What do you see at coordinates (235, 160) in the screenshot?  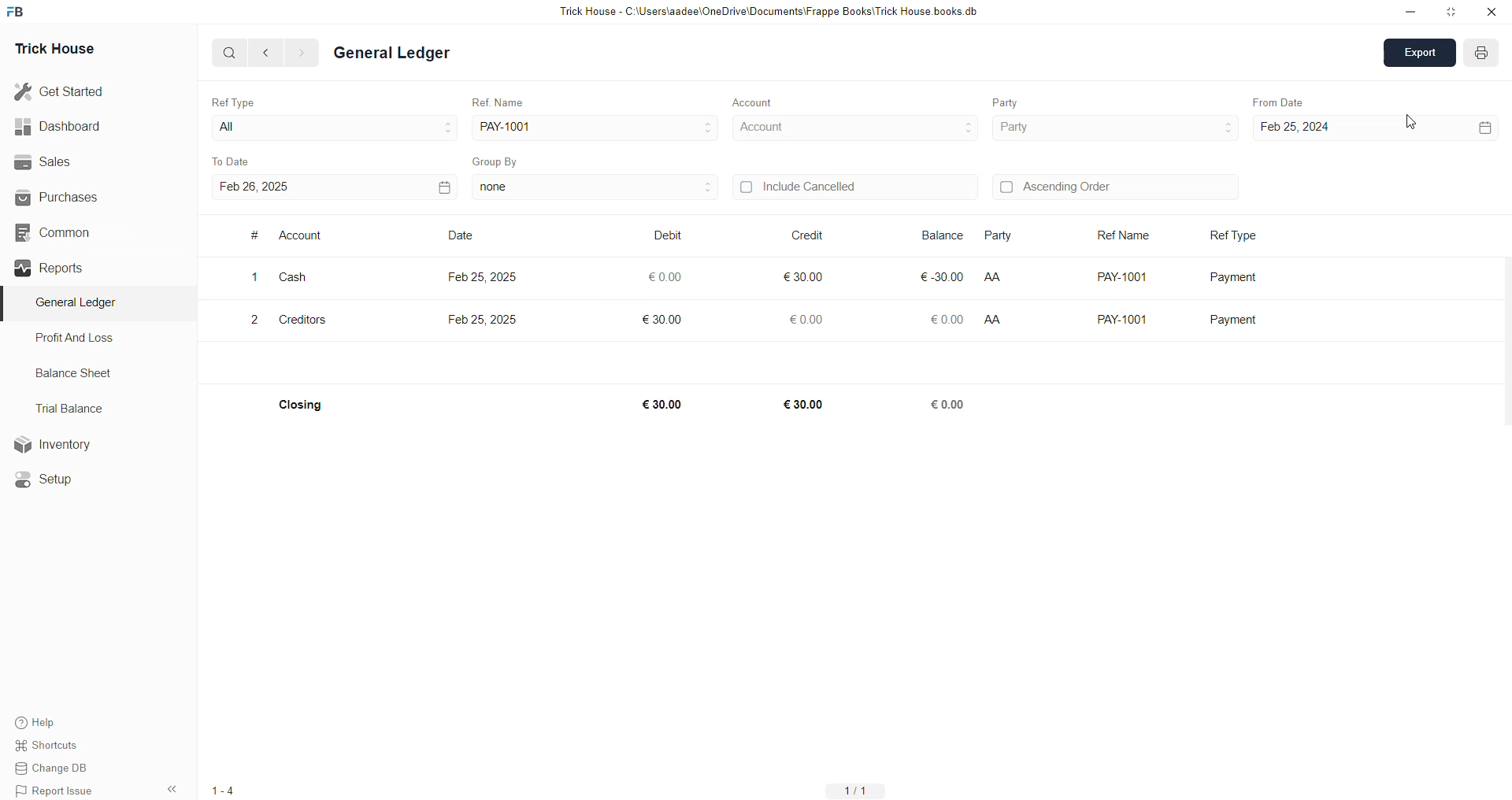 I see `To Date` at bounding box center [235, 160].